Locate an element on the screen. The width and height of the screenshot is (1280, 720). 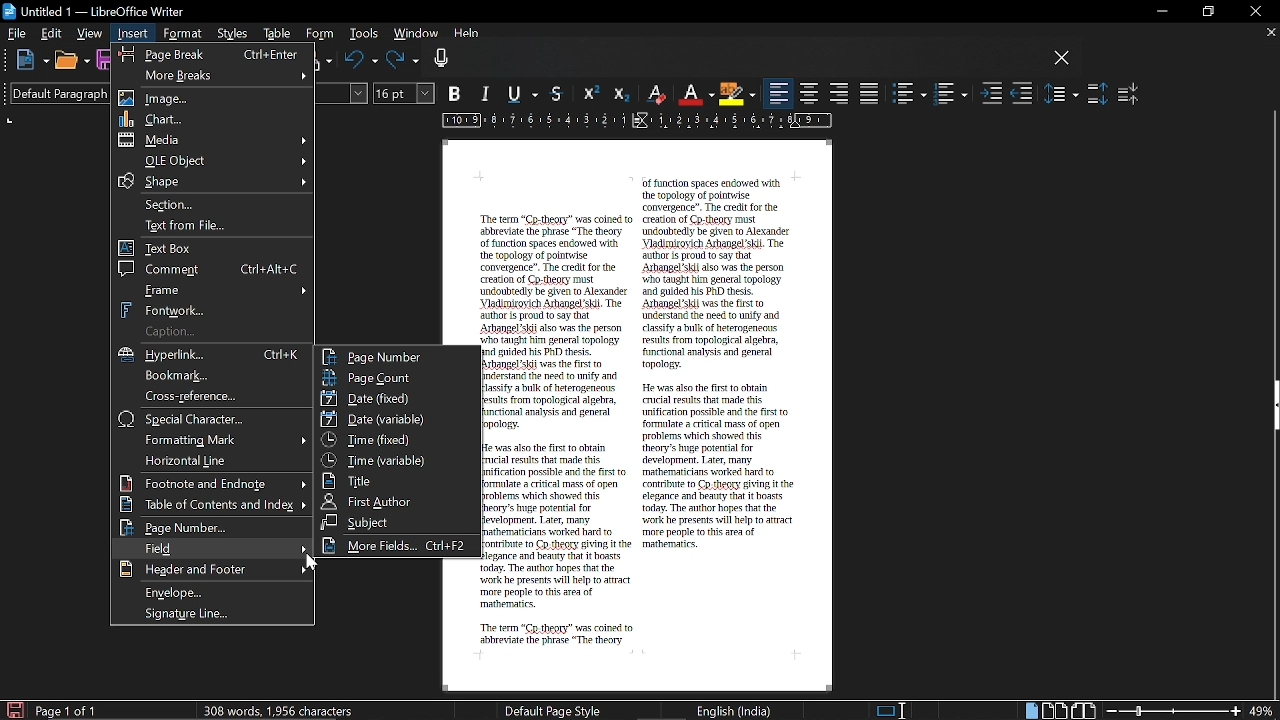
Styles is located at coordinates (234, 35).